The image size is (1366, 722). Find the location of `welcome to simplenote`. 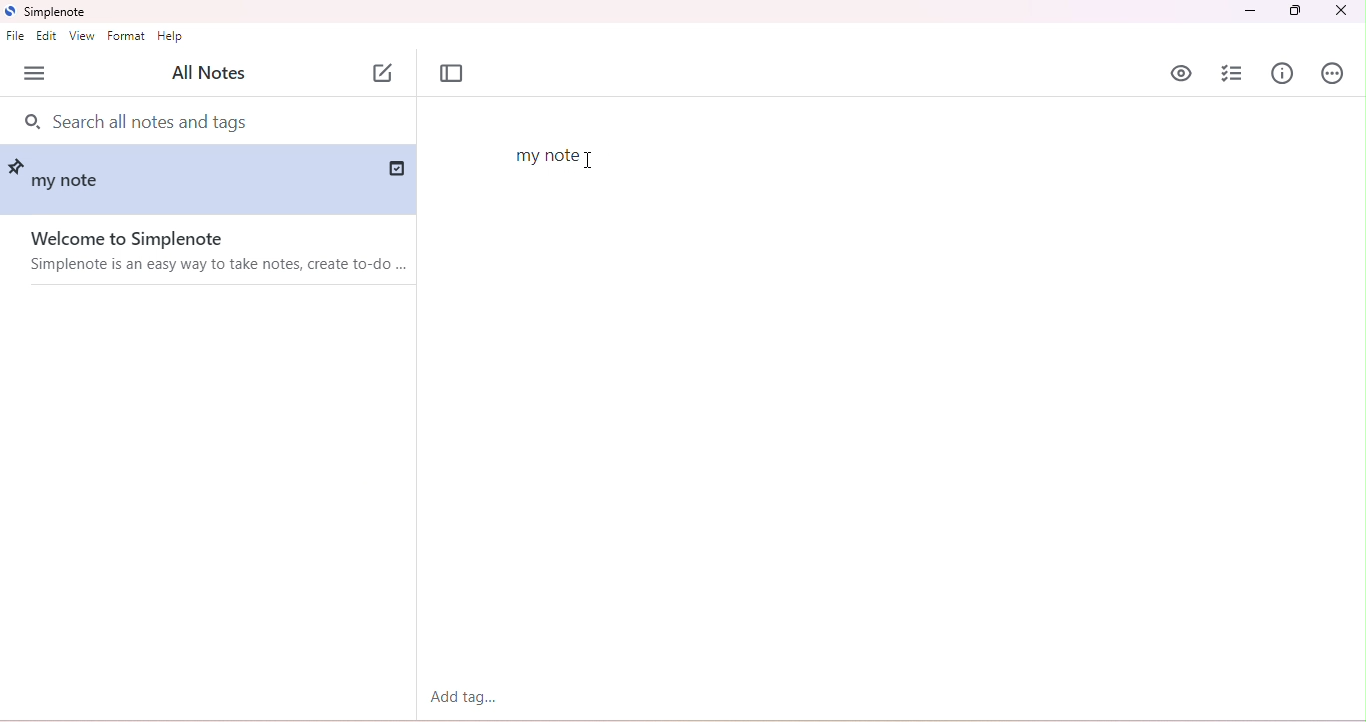

welcome to simplenote is located at coordinates (207, 252).